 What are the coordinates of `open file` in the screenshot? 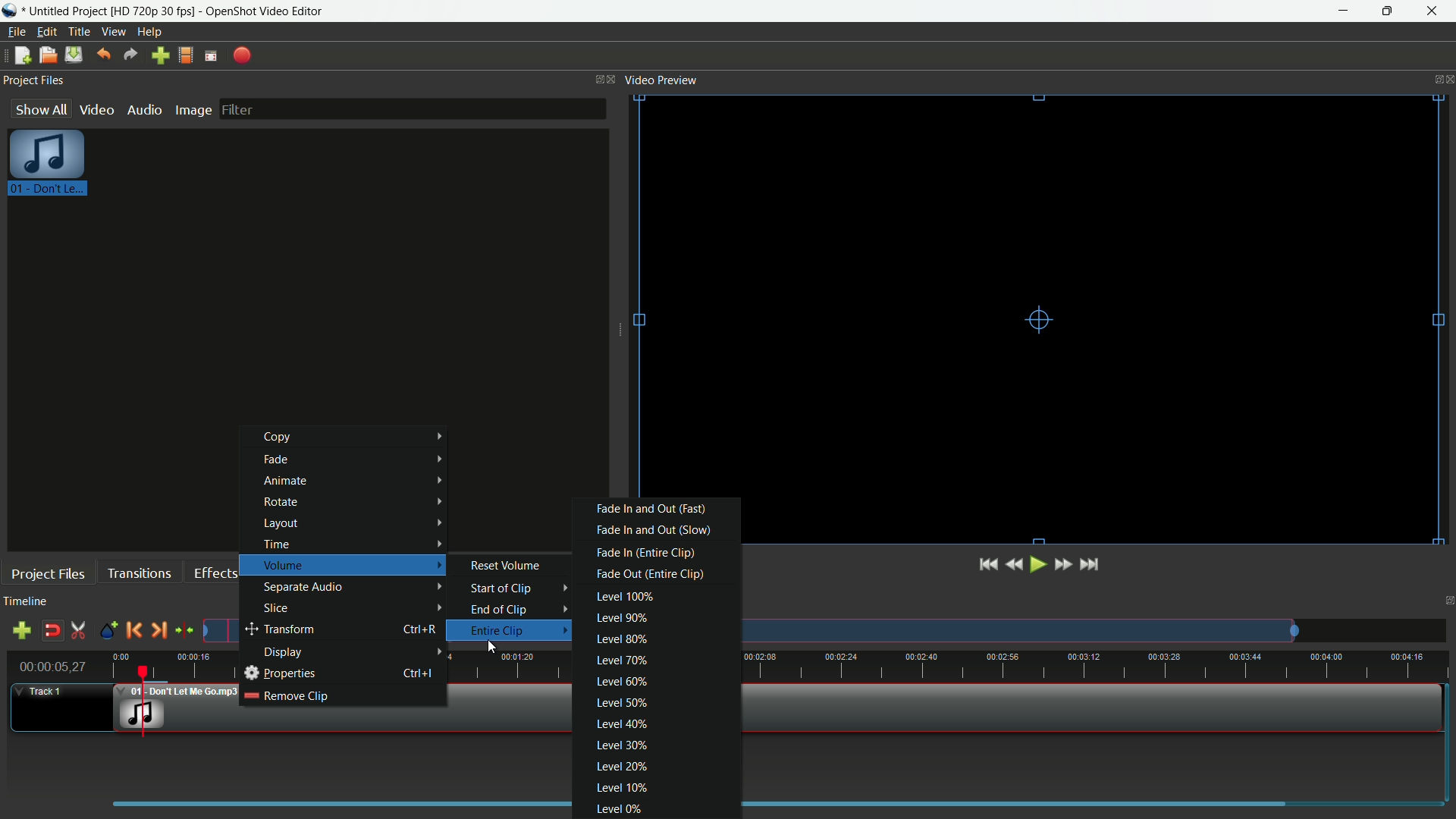 It's located at (48, 55).